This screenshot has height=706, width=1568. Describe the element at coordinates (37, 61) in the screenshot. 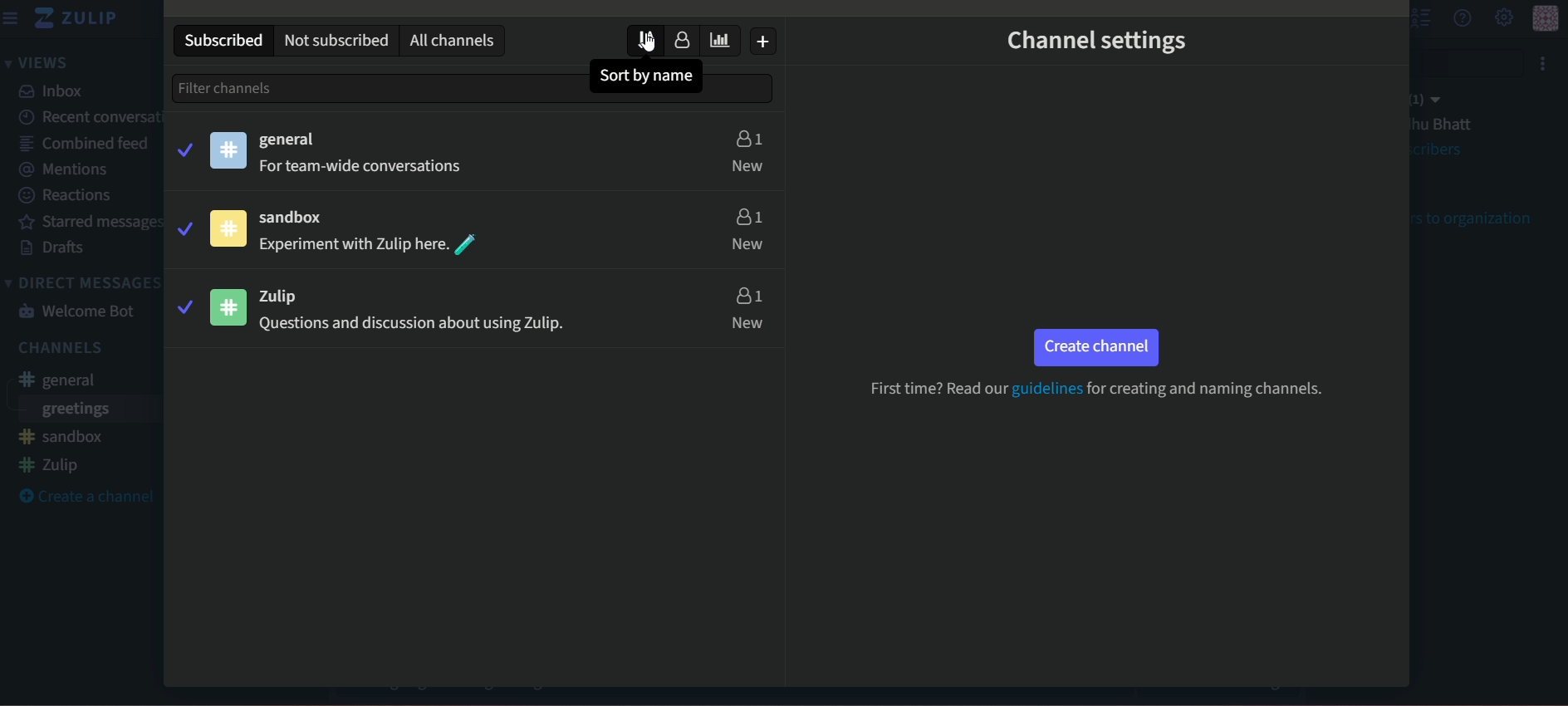

I see `views` at that location.